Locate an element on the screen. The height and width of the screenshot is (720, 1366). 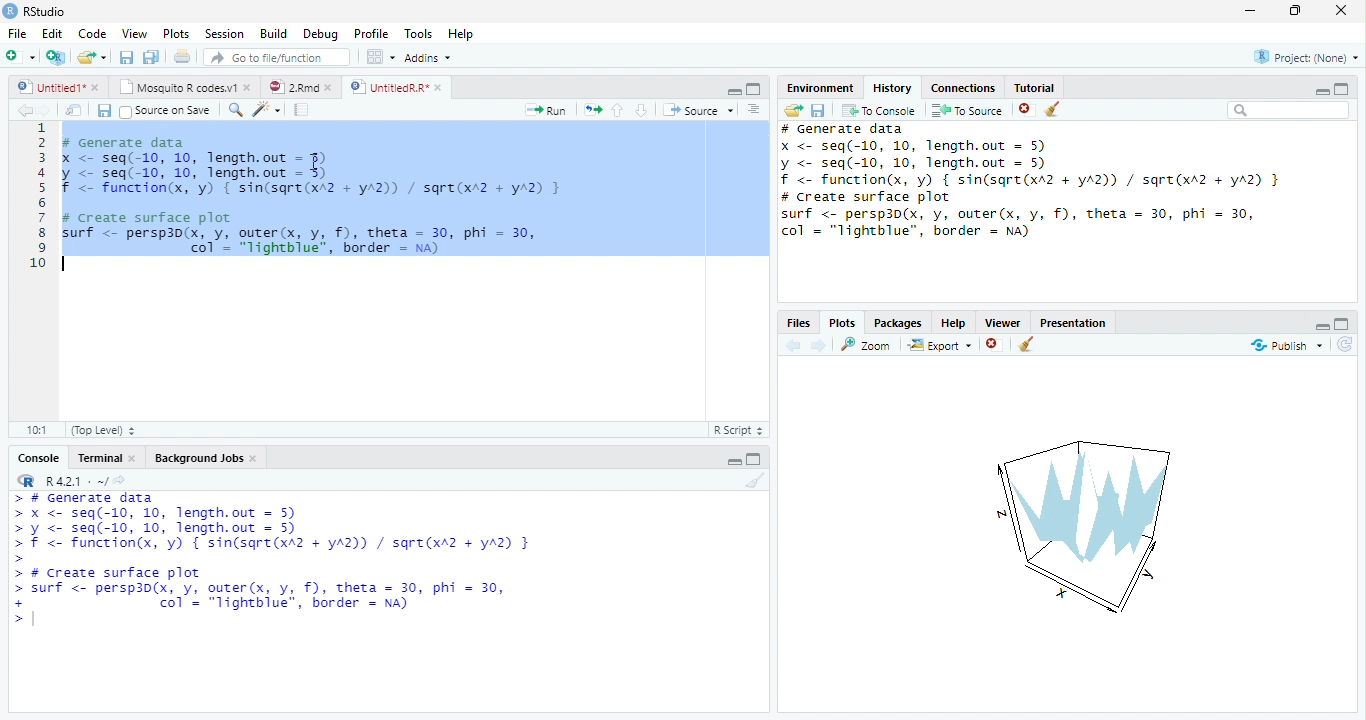
Edit is located at coordinates (51, 33).